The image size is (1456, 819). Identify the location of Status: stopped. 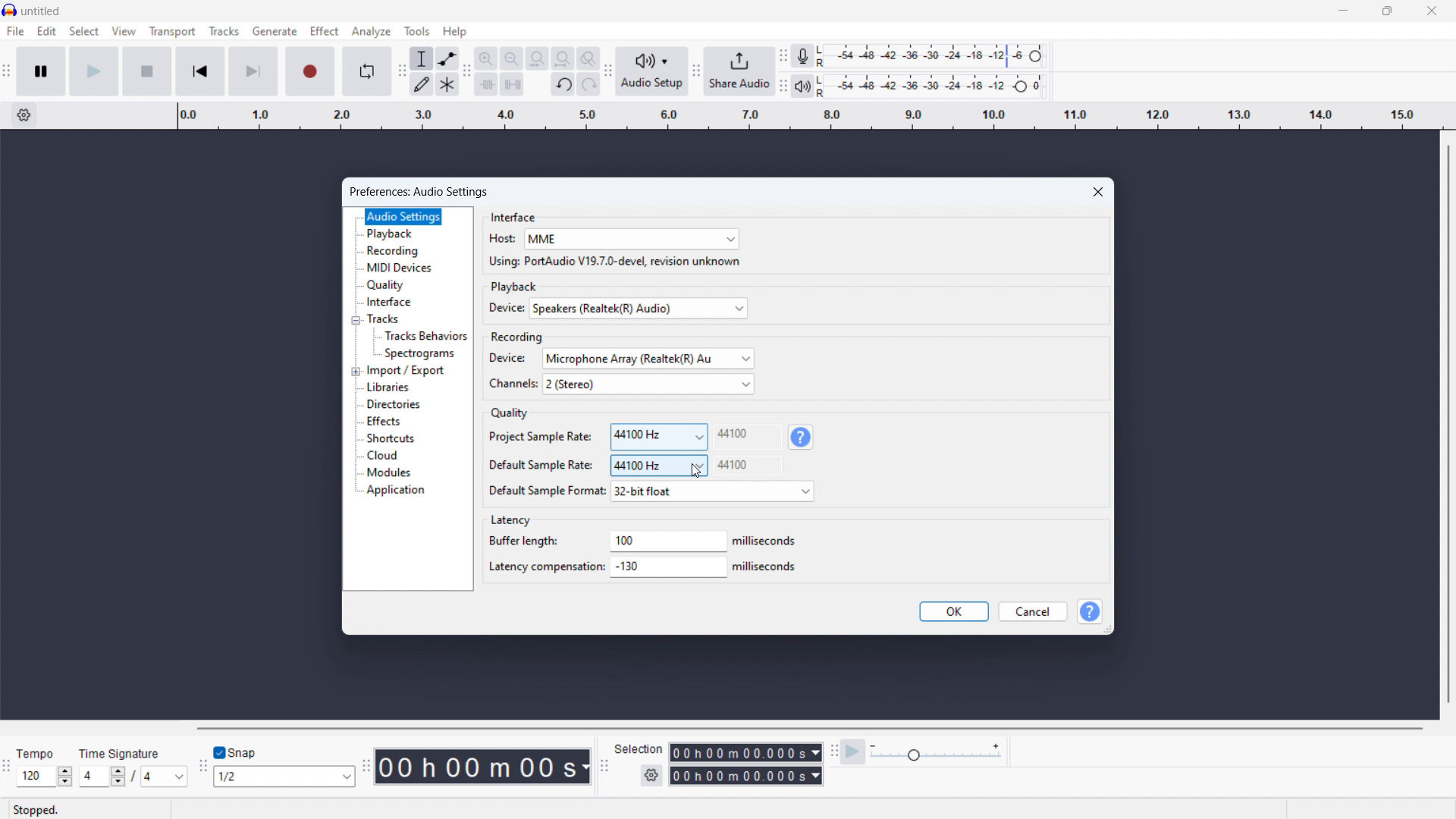
(38, 809).